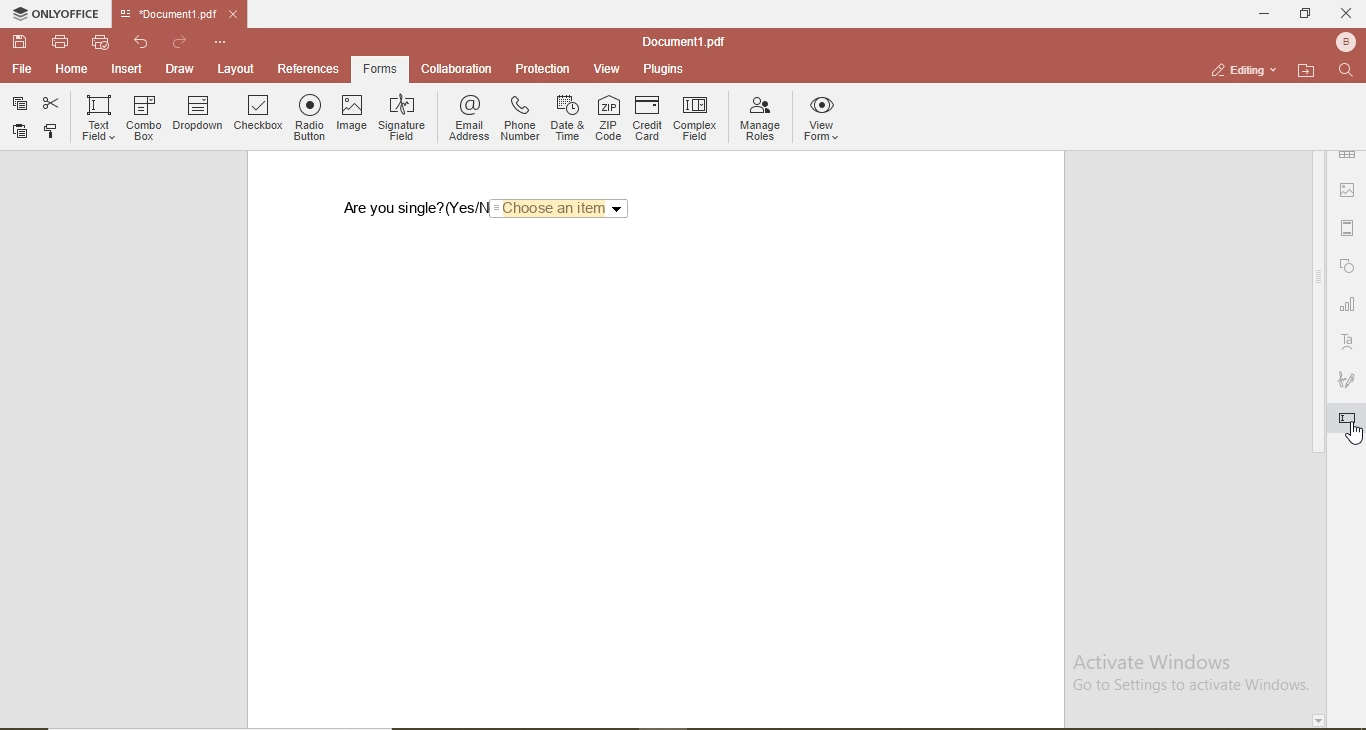 The image size is (1366, 730). I want to click on combo box, so click(143, 116).